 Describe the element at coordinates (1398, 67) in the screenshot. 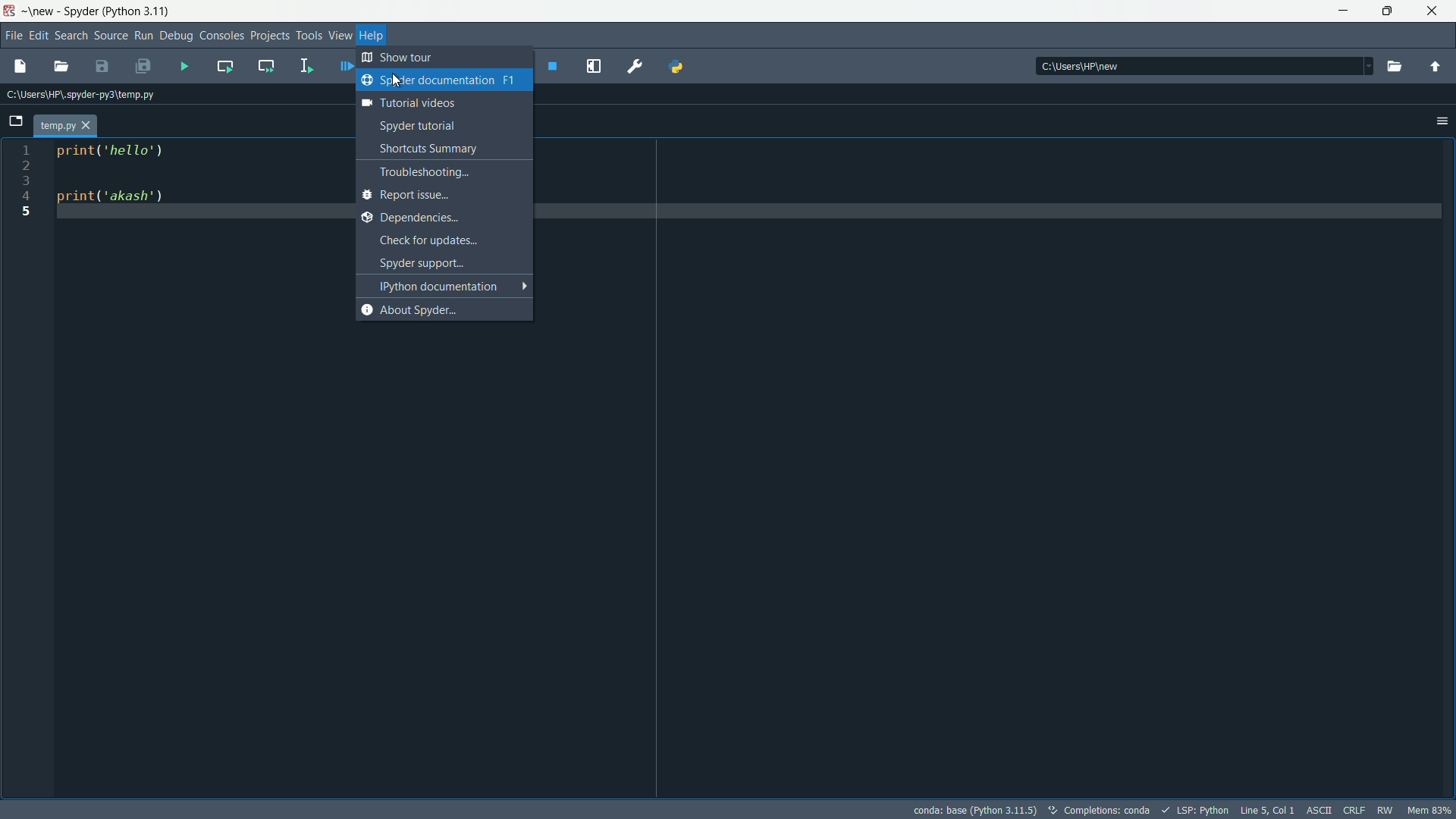

I see `open file` at that location.